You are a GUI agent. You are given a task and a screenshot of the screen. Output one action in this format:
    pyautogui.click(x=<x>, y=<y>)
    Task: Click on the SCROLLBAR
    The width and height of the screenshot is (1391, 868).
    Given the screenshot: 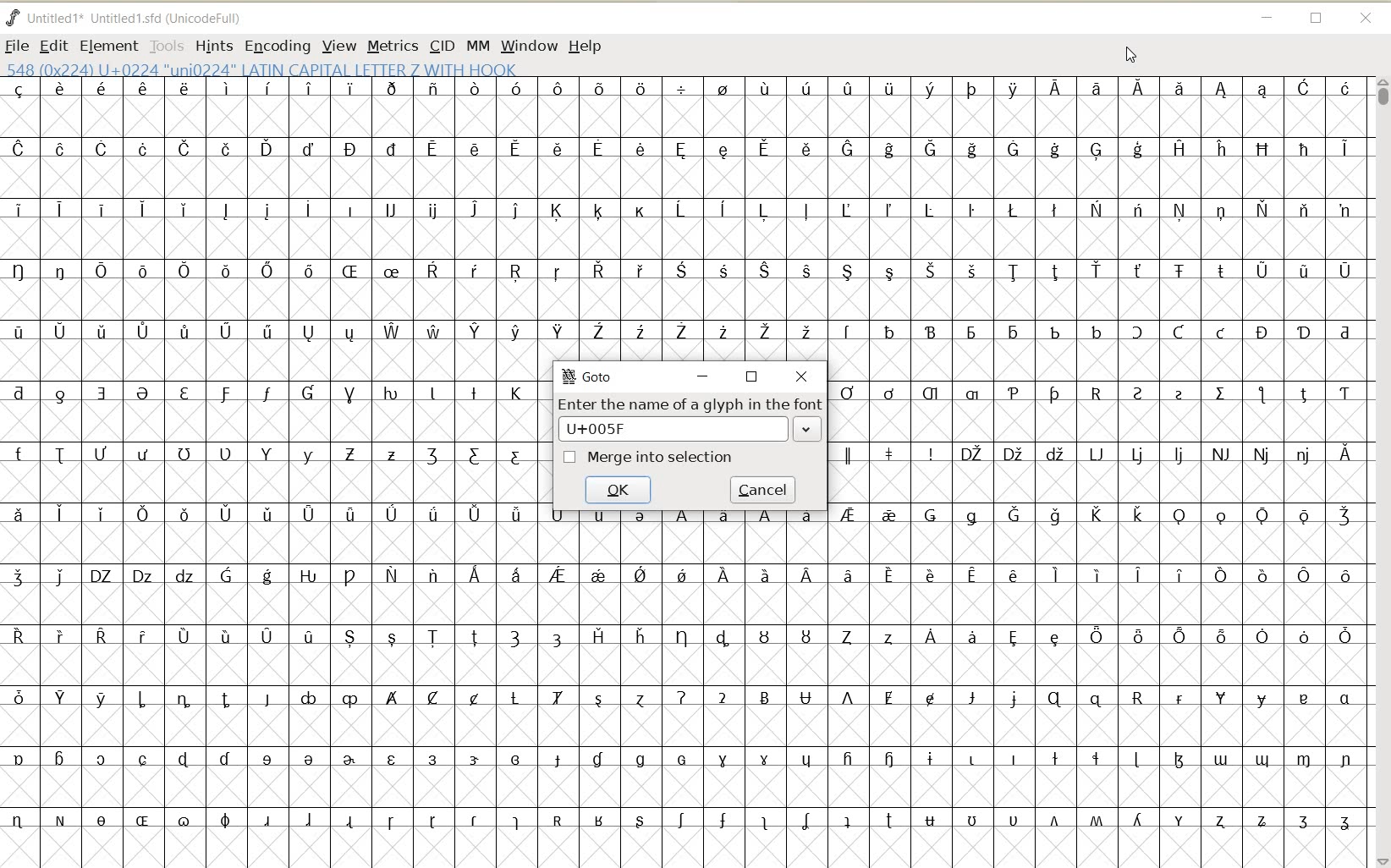 What is the action you would take?
    pyautogui.click(x=1381, y=472)
    